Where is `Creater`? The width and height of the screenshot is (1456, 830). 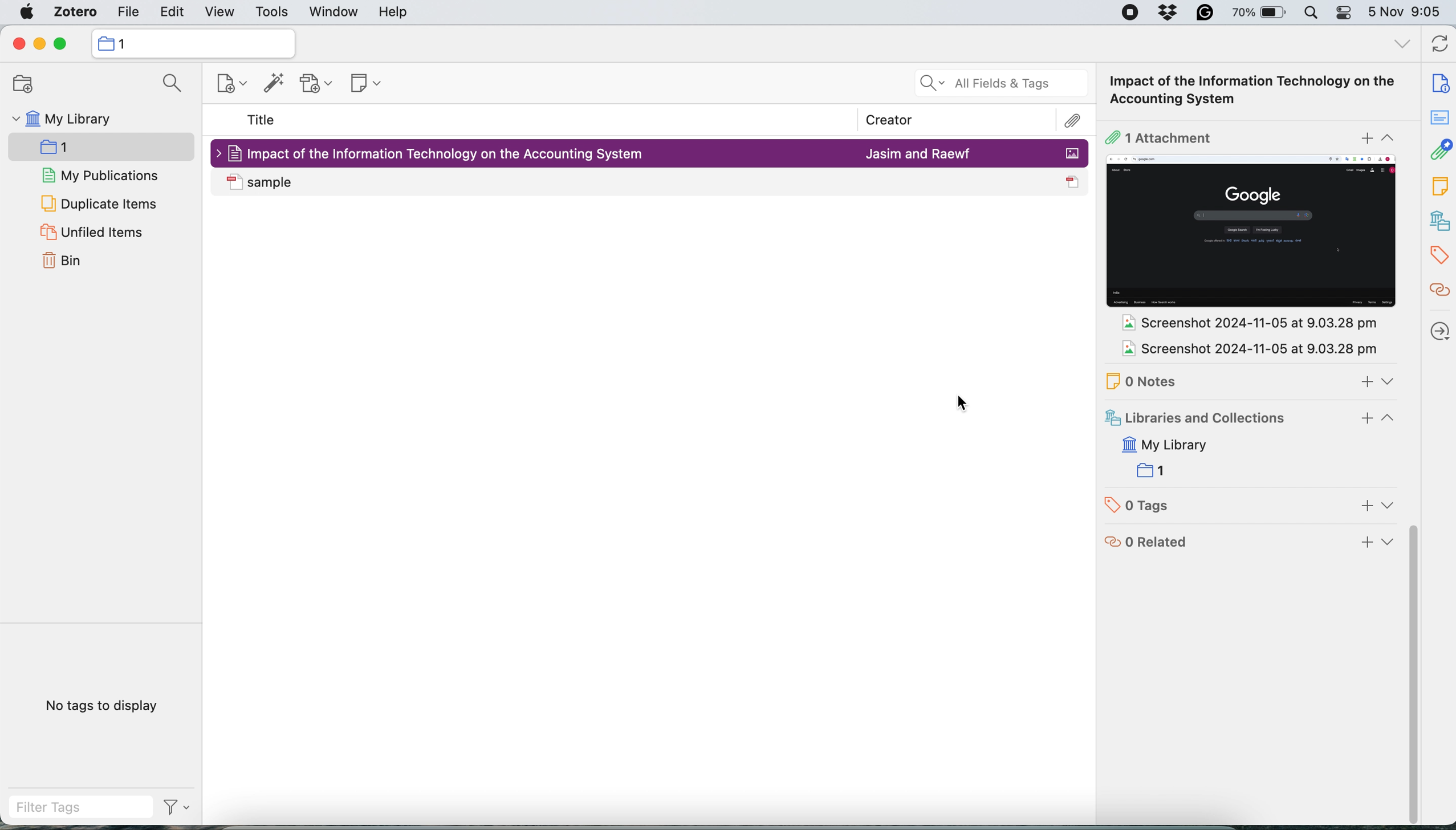
Creater is located at coordinates (893, 114).